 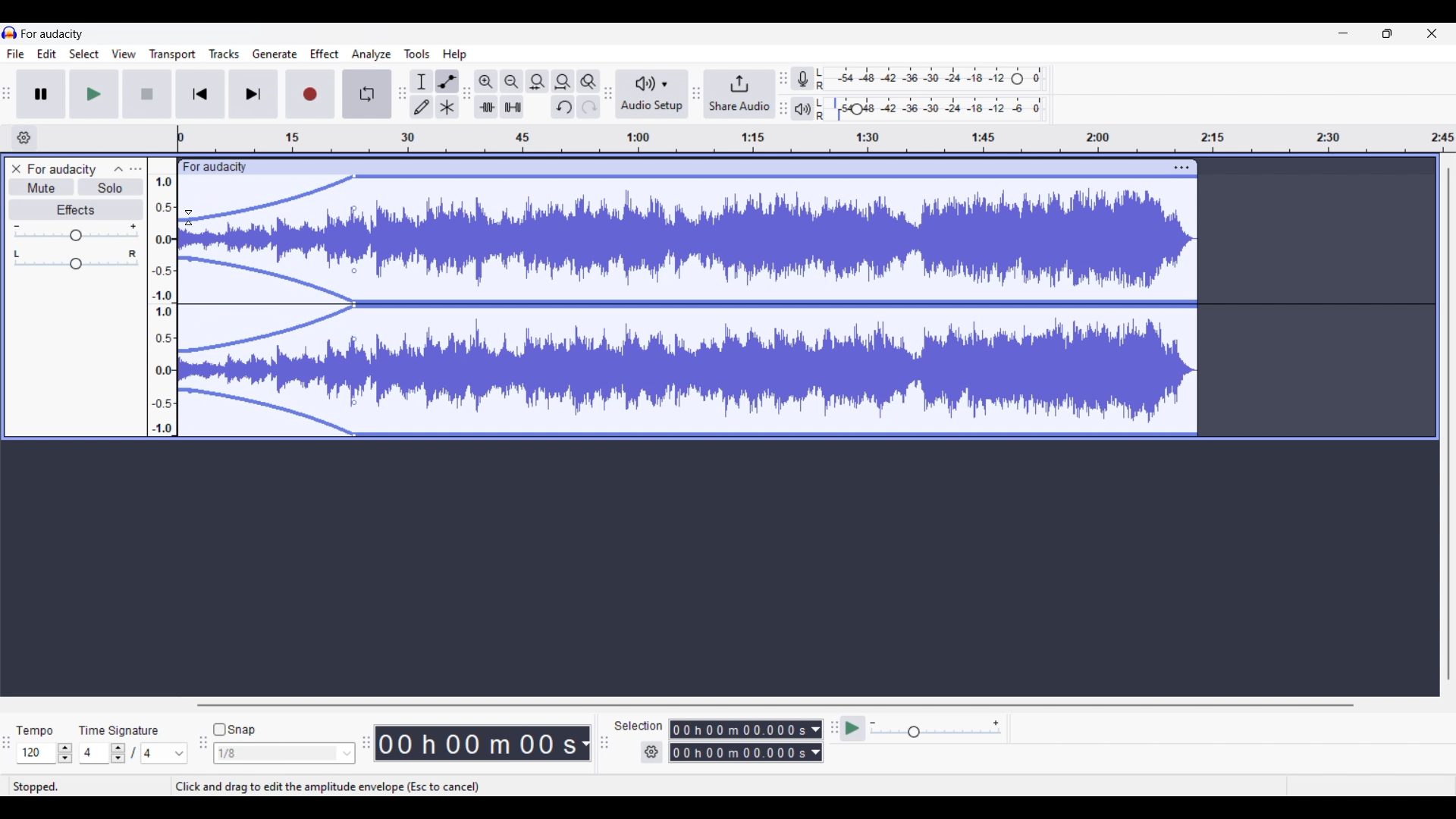 What do you see at coordinates (1449, 425) in the screenshot?
I see `Vertical slide bar` at bounding box center [1449, 425].